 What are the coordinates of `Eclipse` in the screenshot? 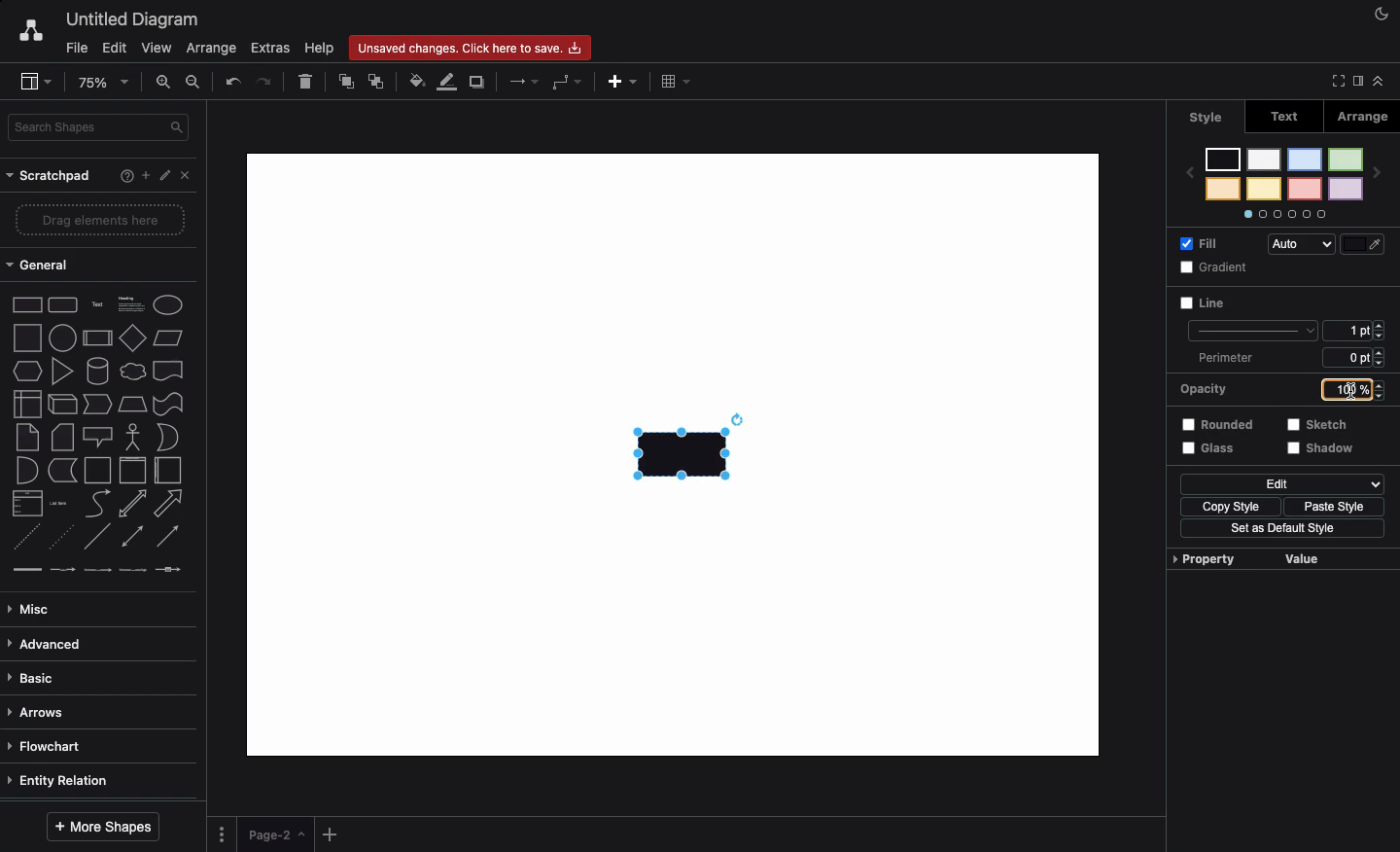 It's located at (168, 304).